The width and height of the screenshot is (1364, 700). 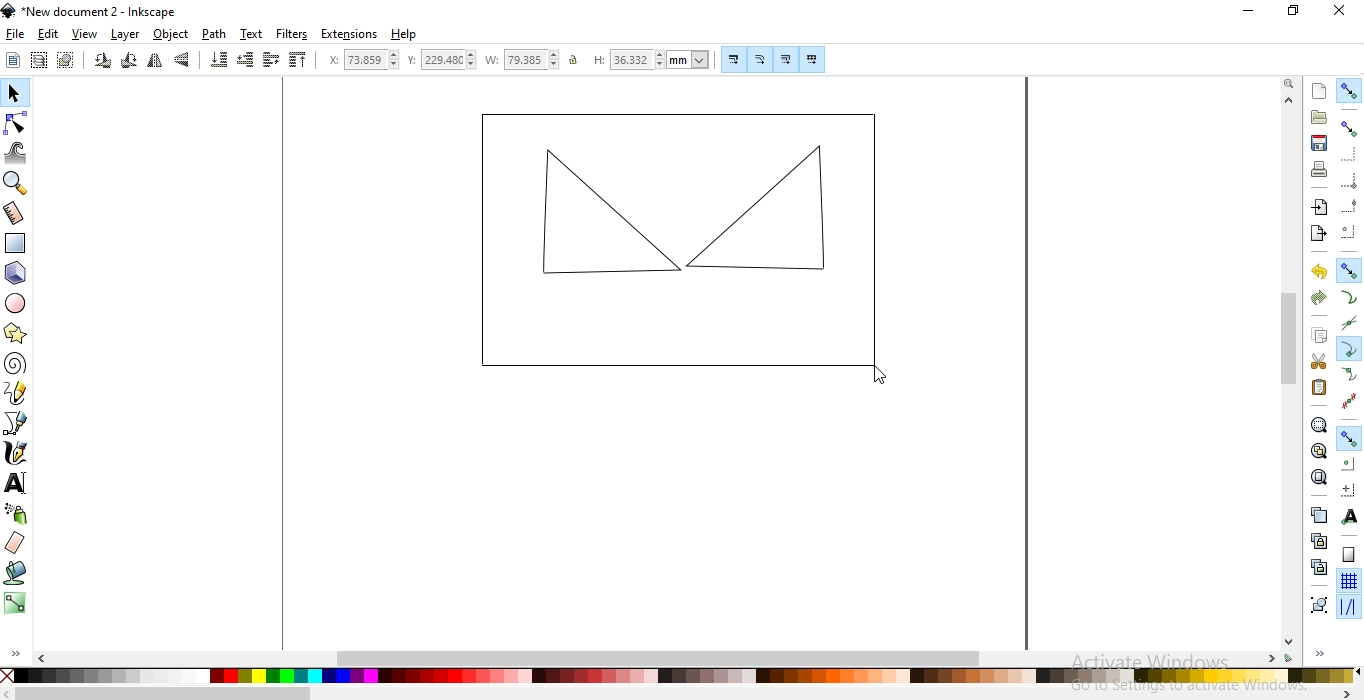 I want to click on objects, so click(x=173, y=34).